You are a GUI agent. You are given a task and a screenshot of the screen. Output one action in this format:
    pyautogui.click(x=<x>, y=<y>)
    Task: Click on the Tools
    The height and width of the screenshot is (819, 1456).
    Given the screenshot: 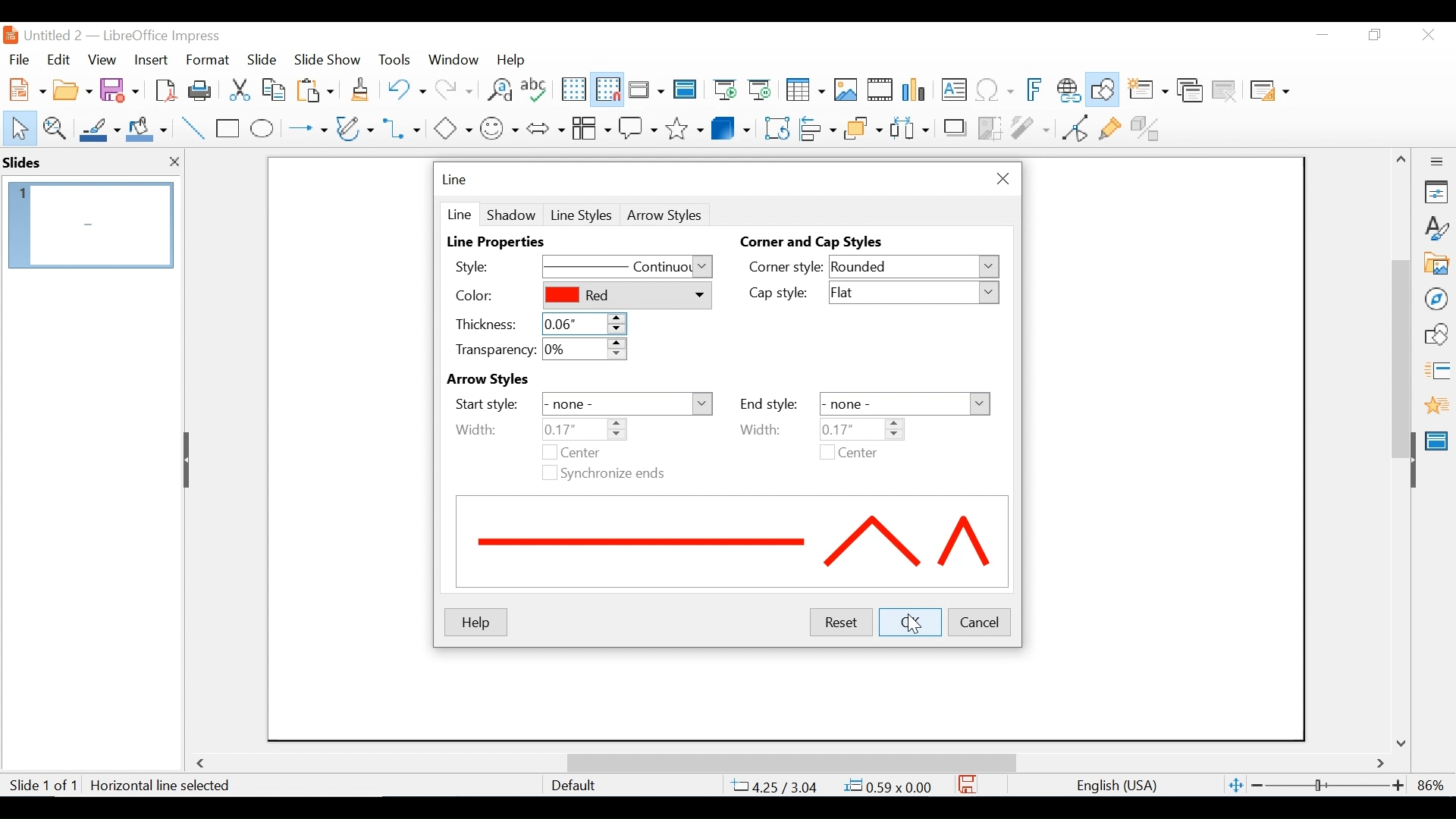 What is the action you would take?
    pyautogui.click(x=394, y=59)
    